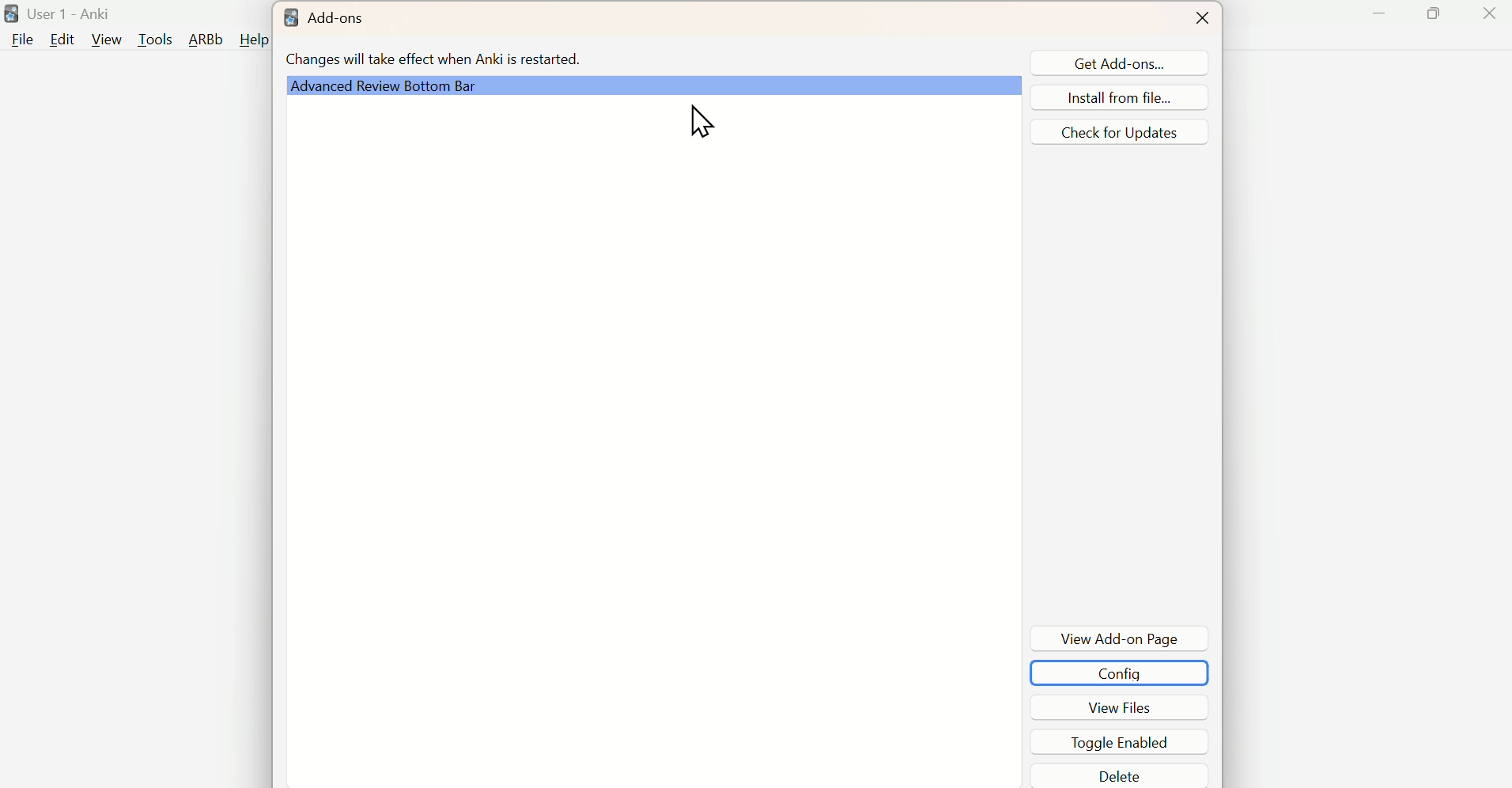 This screenshot has height=788, width=1512. I want to click on Changes will take effect when Anki is restarted., so click(435, 58).